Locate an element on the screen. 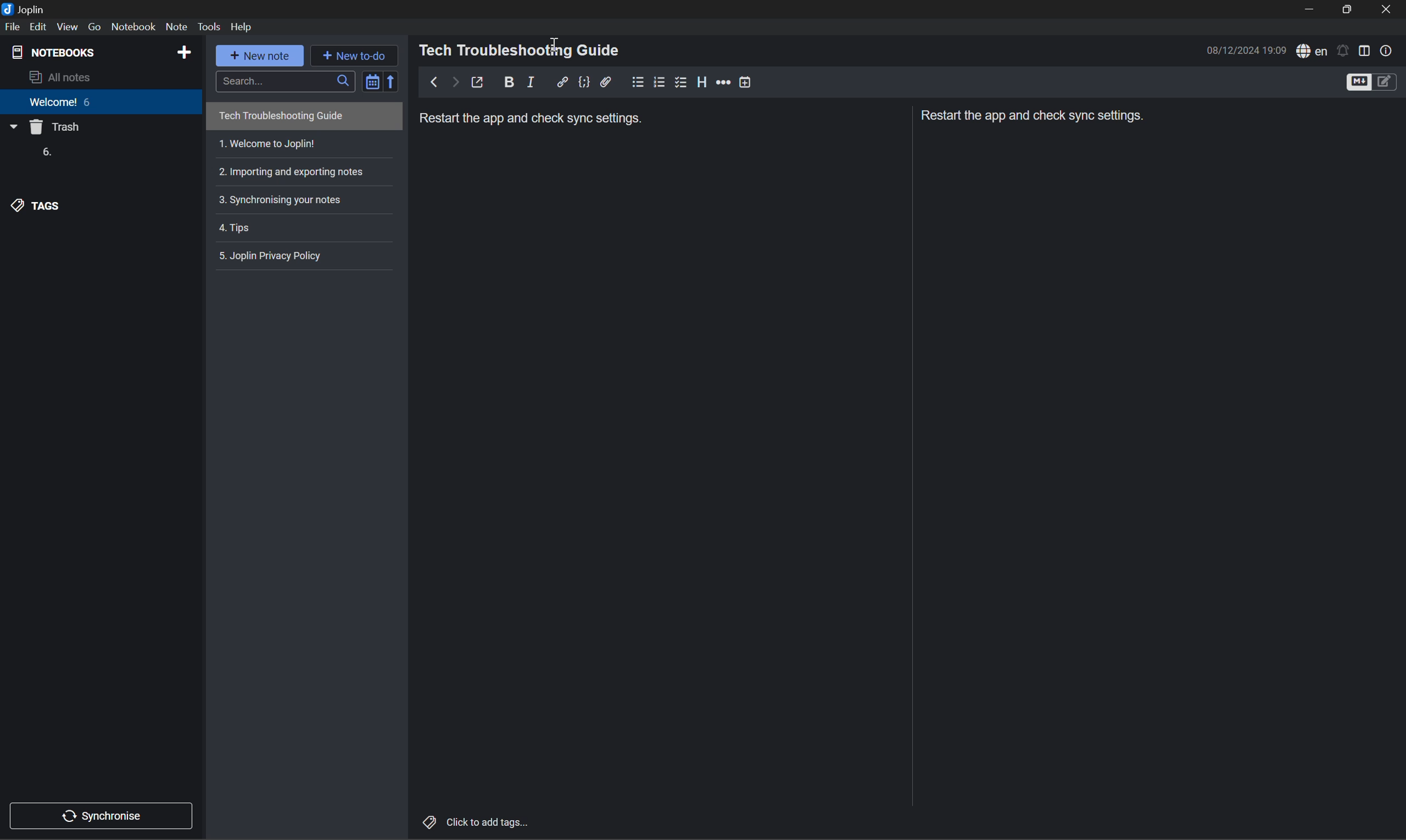 Image resolution: width=1406 pixels, height=840 pixels. Tech Troubleshooting Guide is located at coordinates (521, 50).